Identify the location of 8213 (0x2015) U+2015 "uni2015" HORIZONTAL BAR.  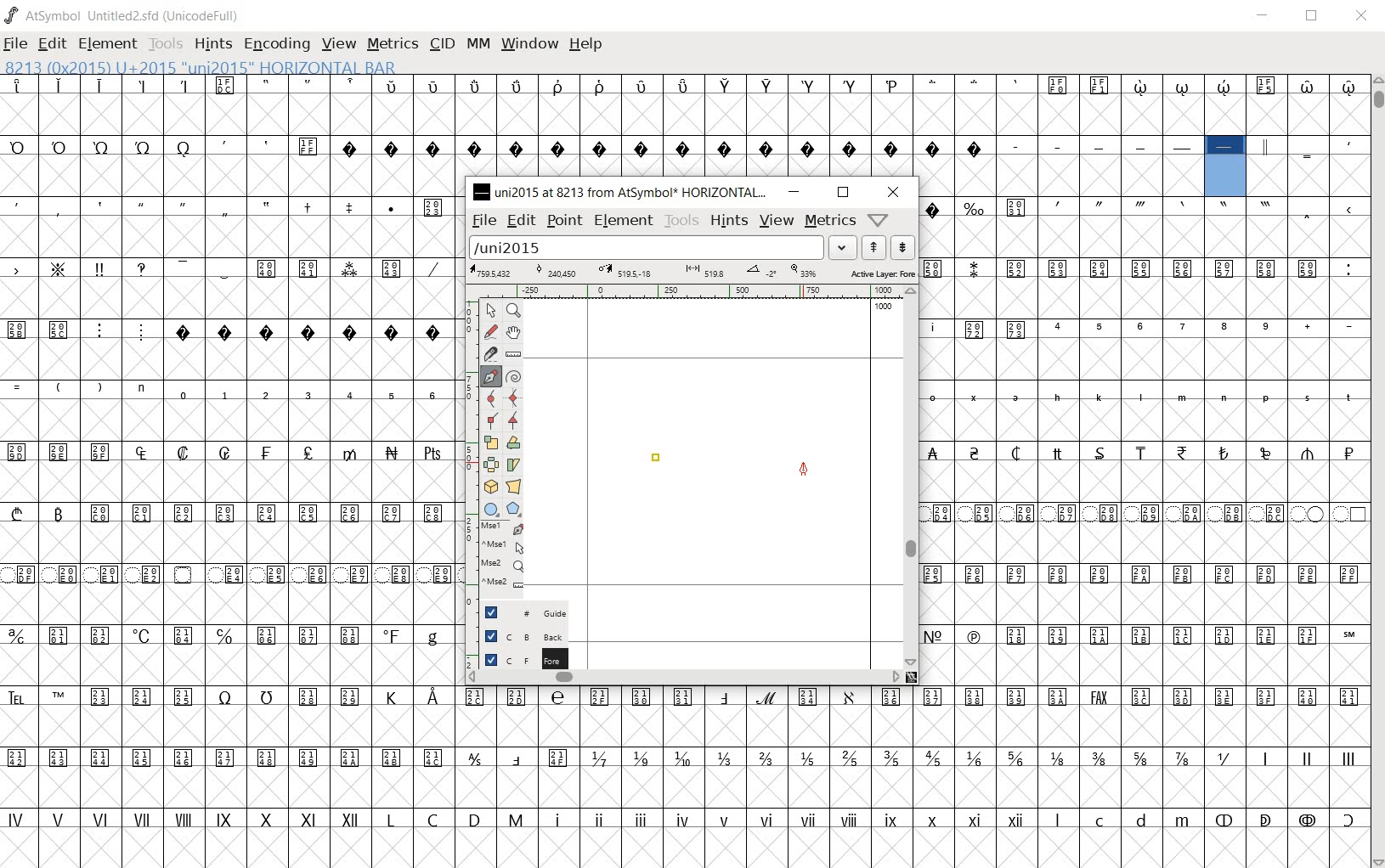
(199, 67).